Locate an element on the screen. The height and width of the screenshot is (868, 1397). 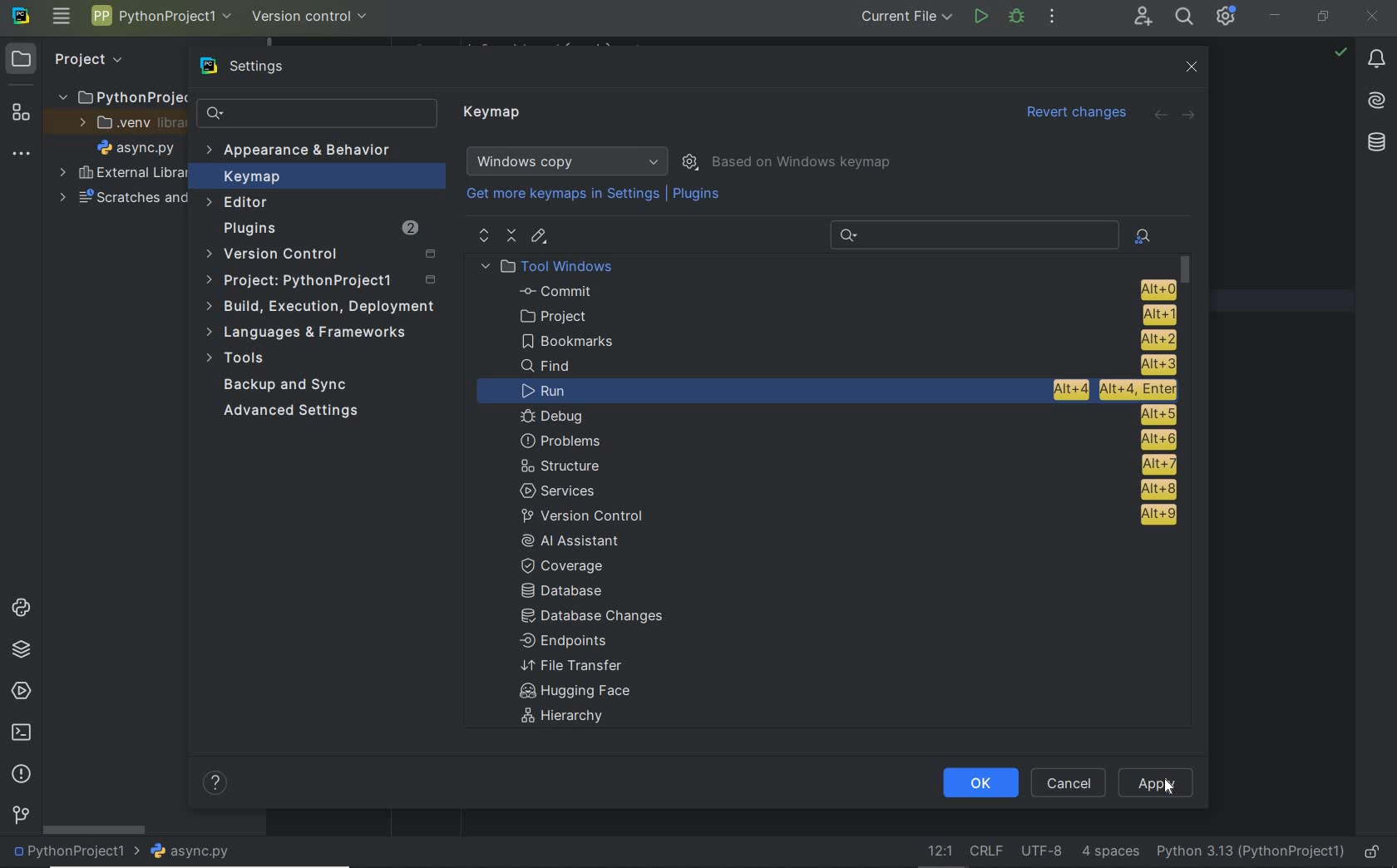
IDE and Project Settings is located at coordinates (1227, 17).